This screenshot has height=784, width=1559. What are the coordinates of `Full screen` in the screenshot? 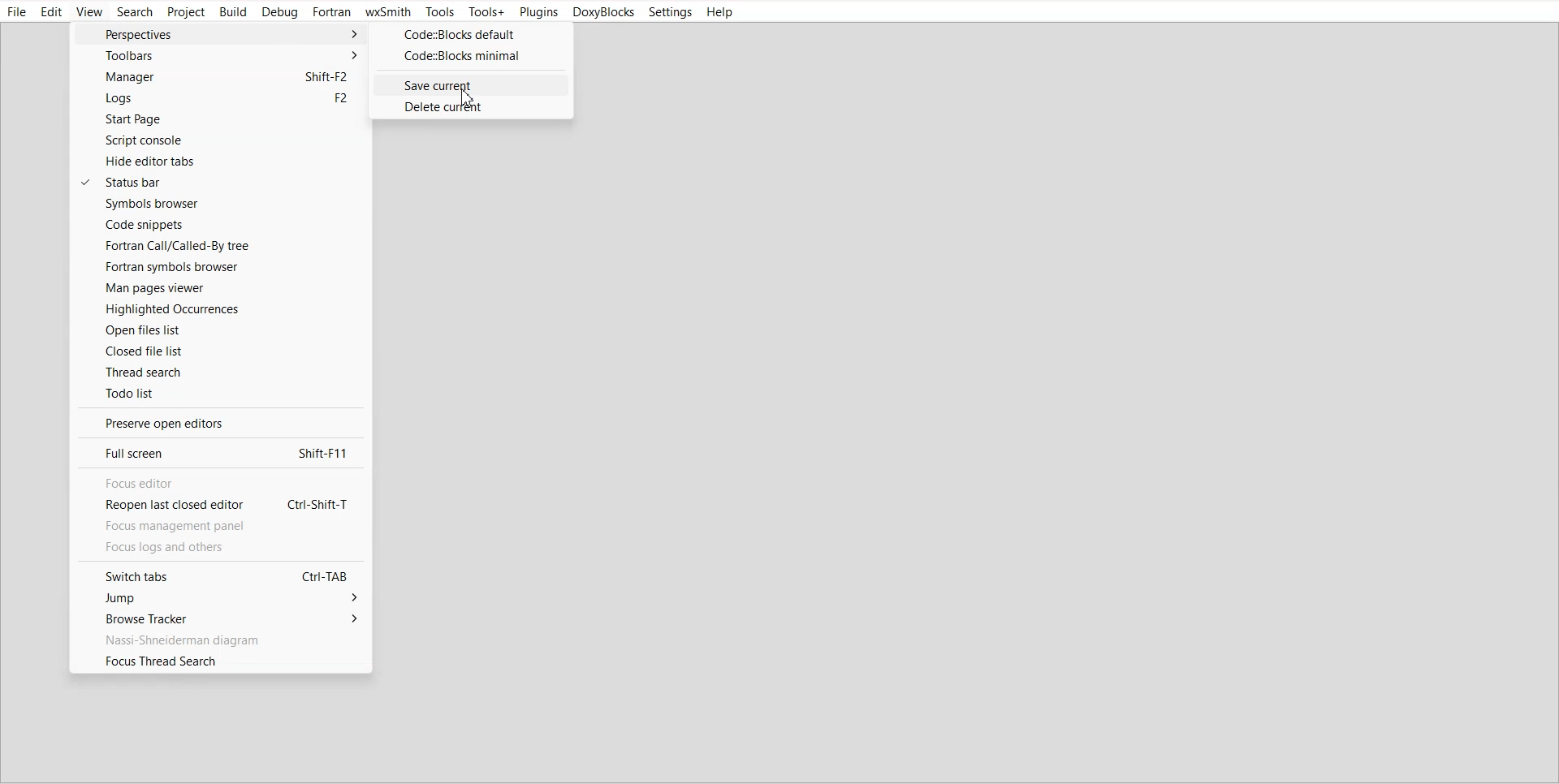 It's located at (216, 452).